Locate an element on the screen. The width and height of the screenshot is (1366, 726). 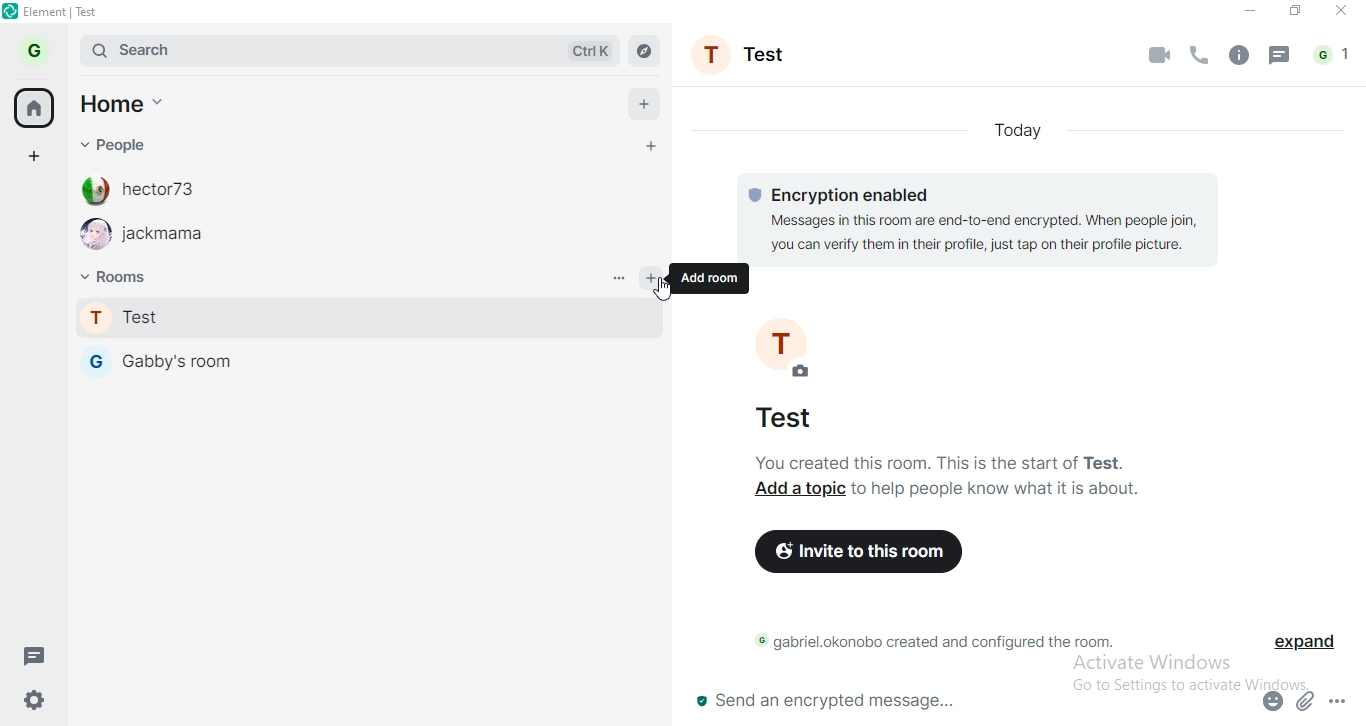
message is located at coordinates (34, 659).